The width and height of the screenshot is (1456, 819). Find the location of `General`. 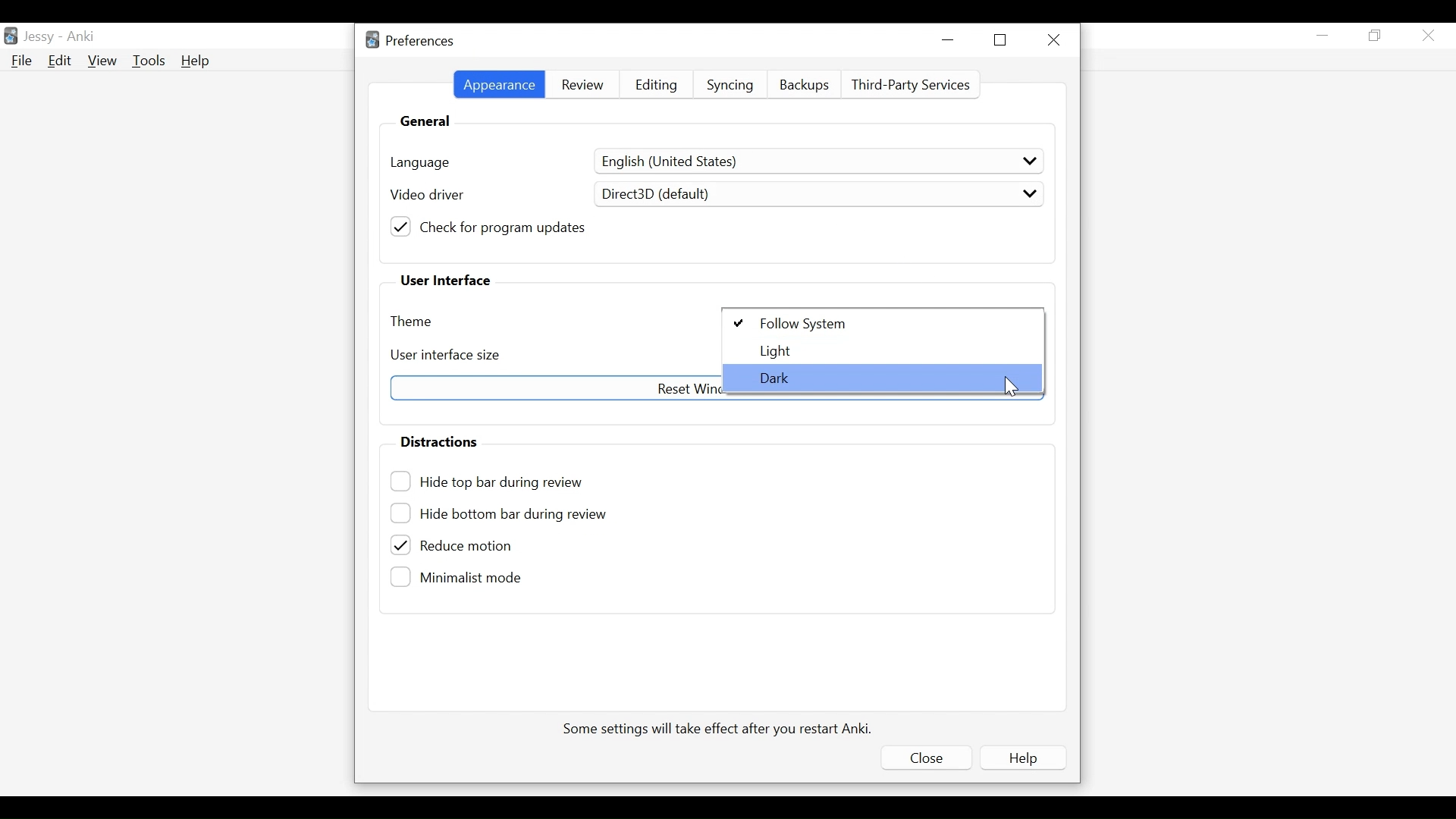

General is located at coordinates (424, 120).